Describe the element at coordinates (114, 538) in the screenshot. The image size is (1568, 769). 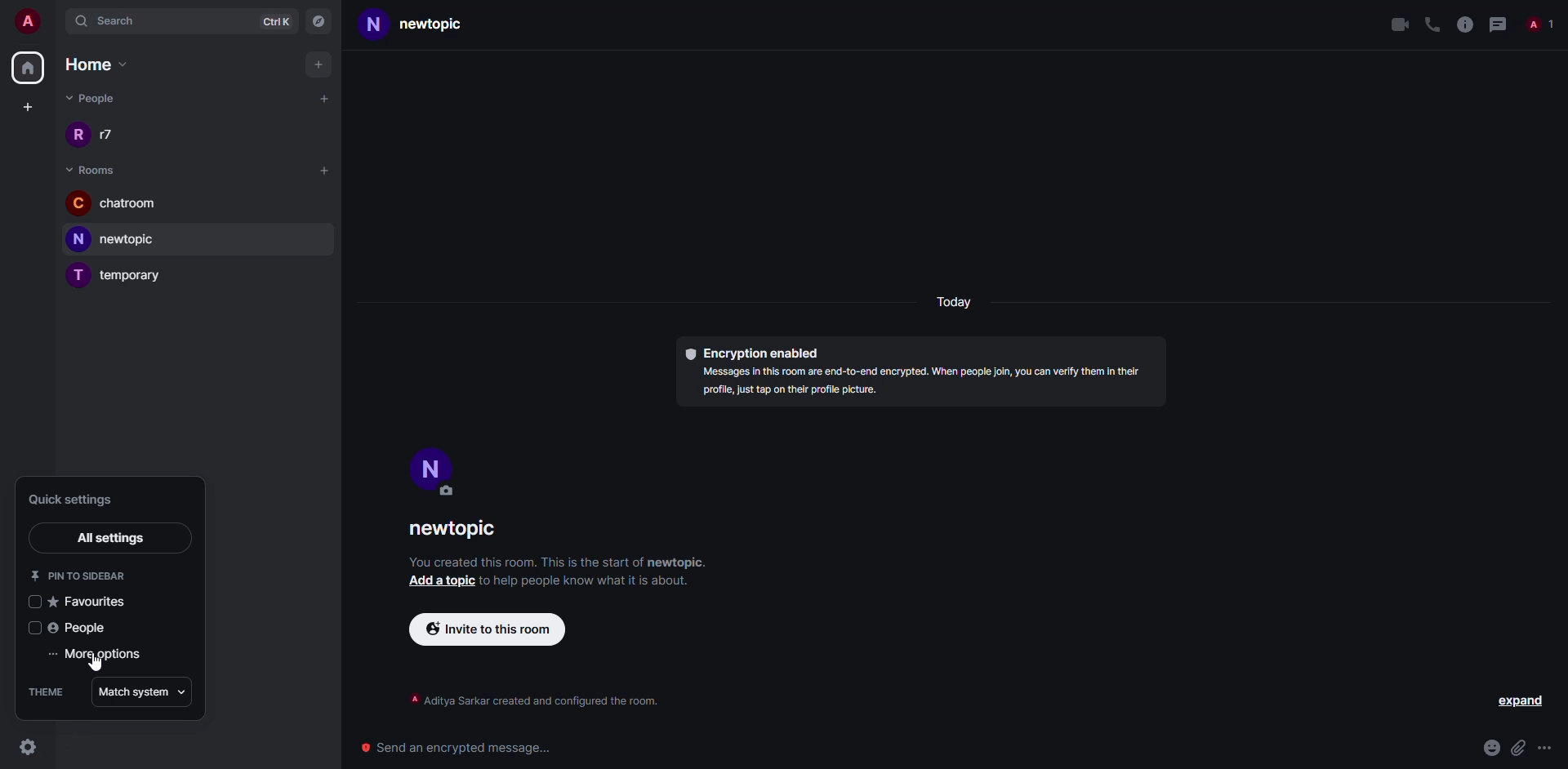
I see `all settings` at that location.